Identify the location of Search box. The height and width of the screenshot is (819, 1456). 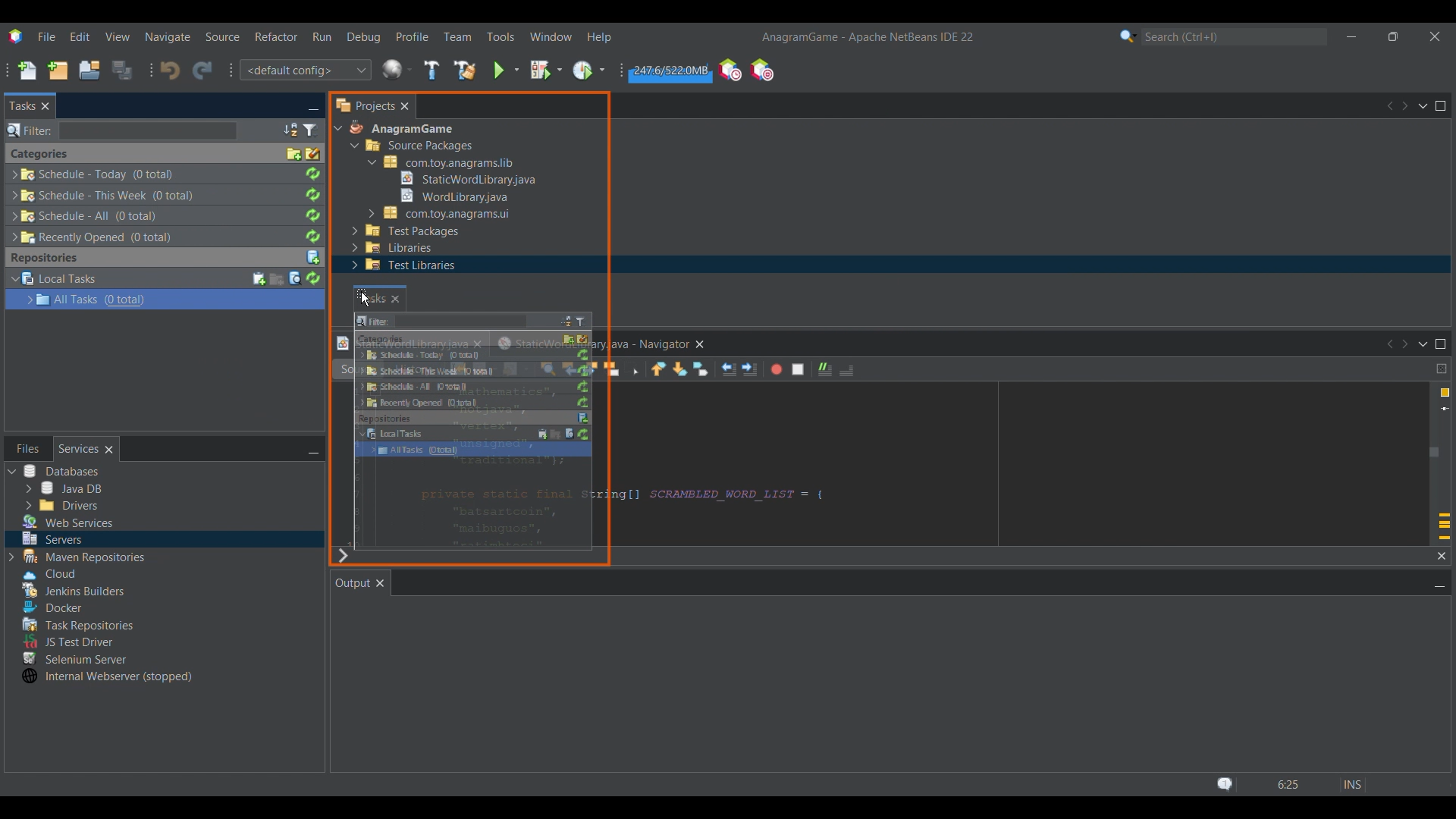
(148, 130).